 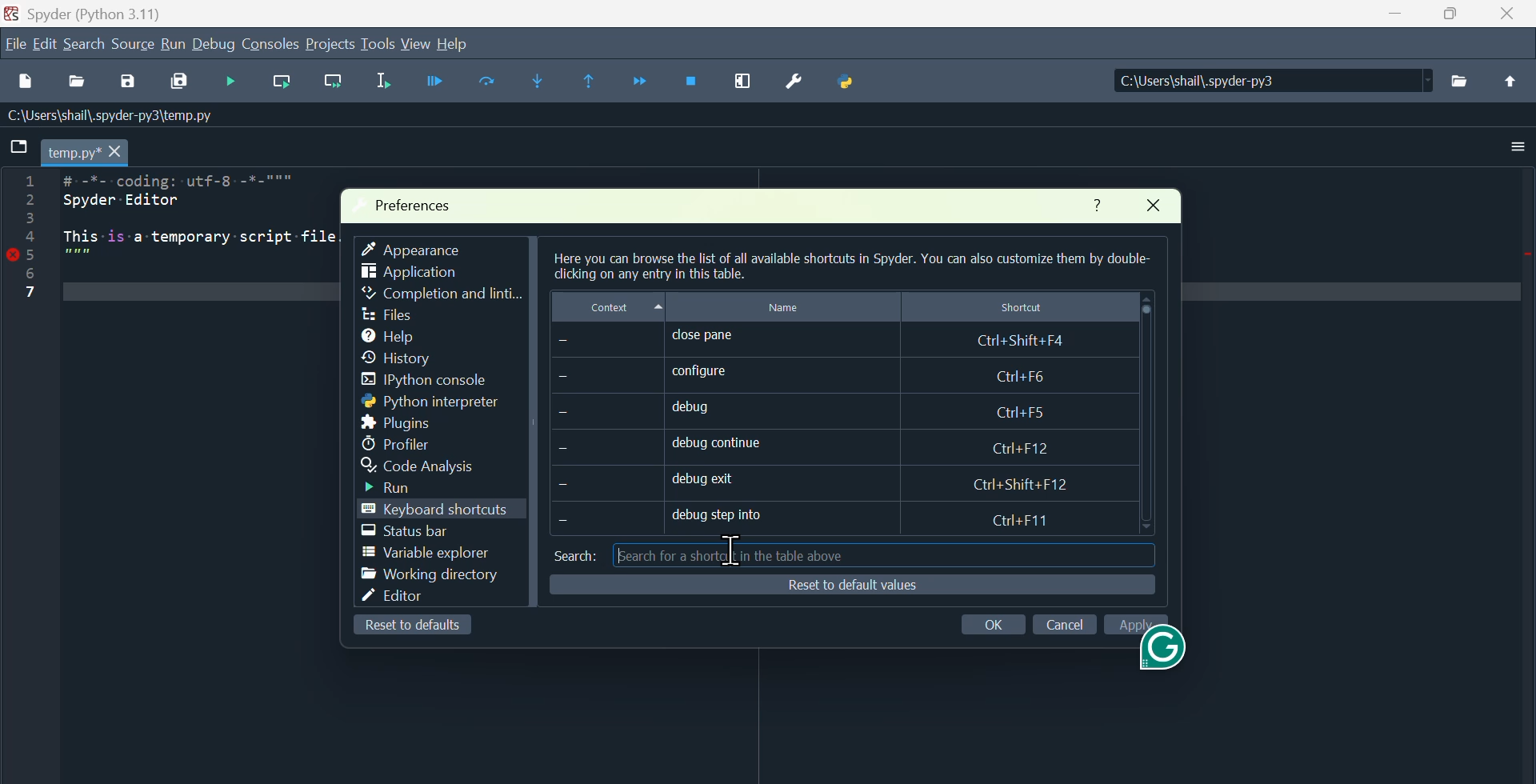 What do you see at coordinates (167, 238) in the screenshot?
I see `Code - # -*- coding: utf-8 -*-""" Spyder Editor This is a temporary script file` at bounding box center [167, 238].